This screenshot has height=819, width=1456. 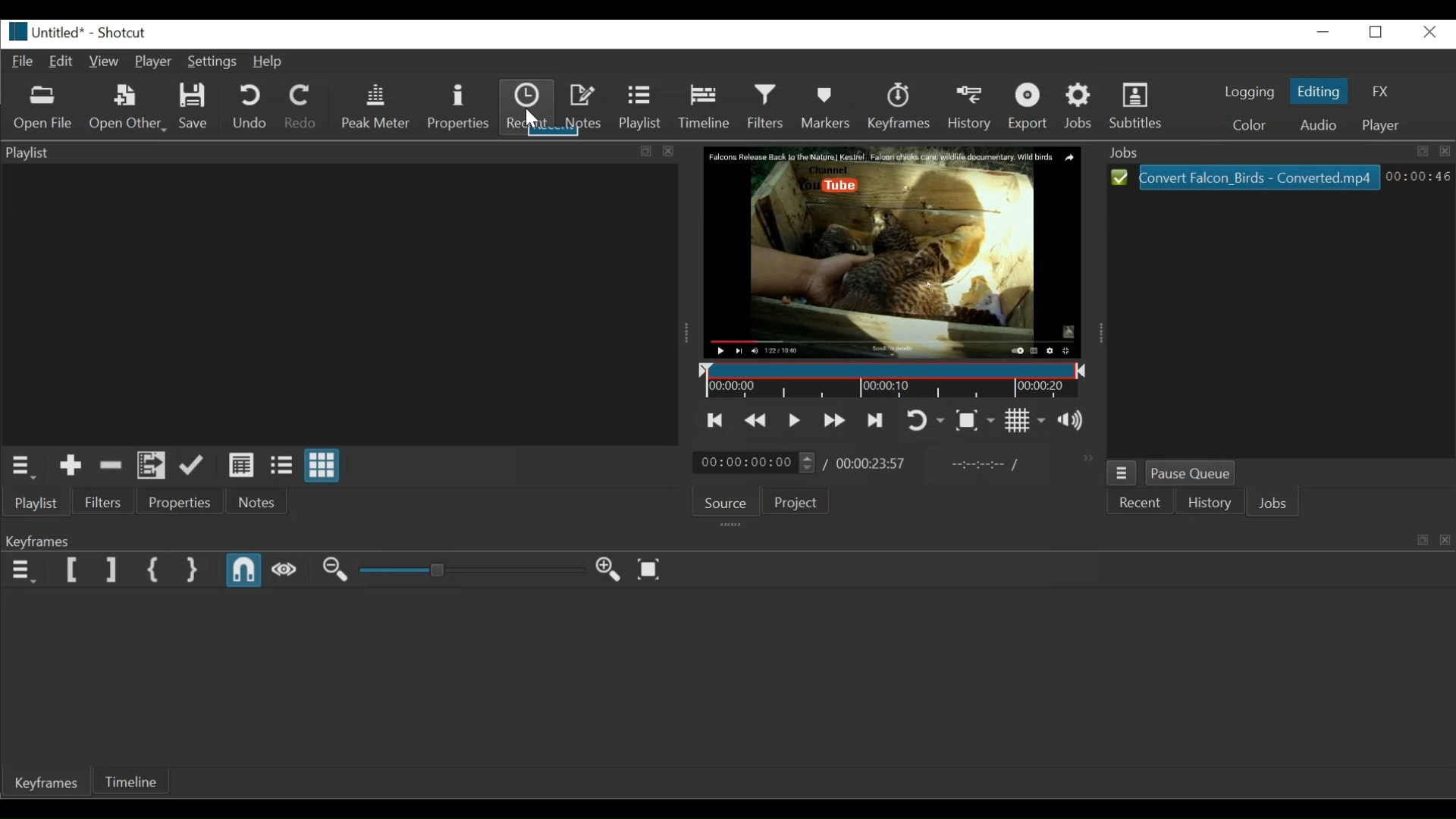 What do you see at coordinates (527, 106) in the screenshot?
I see `Recent` at bounding box center [527, 106].